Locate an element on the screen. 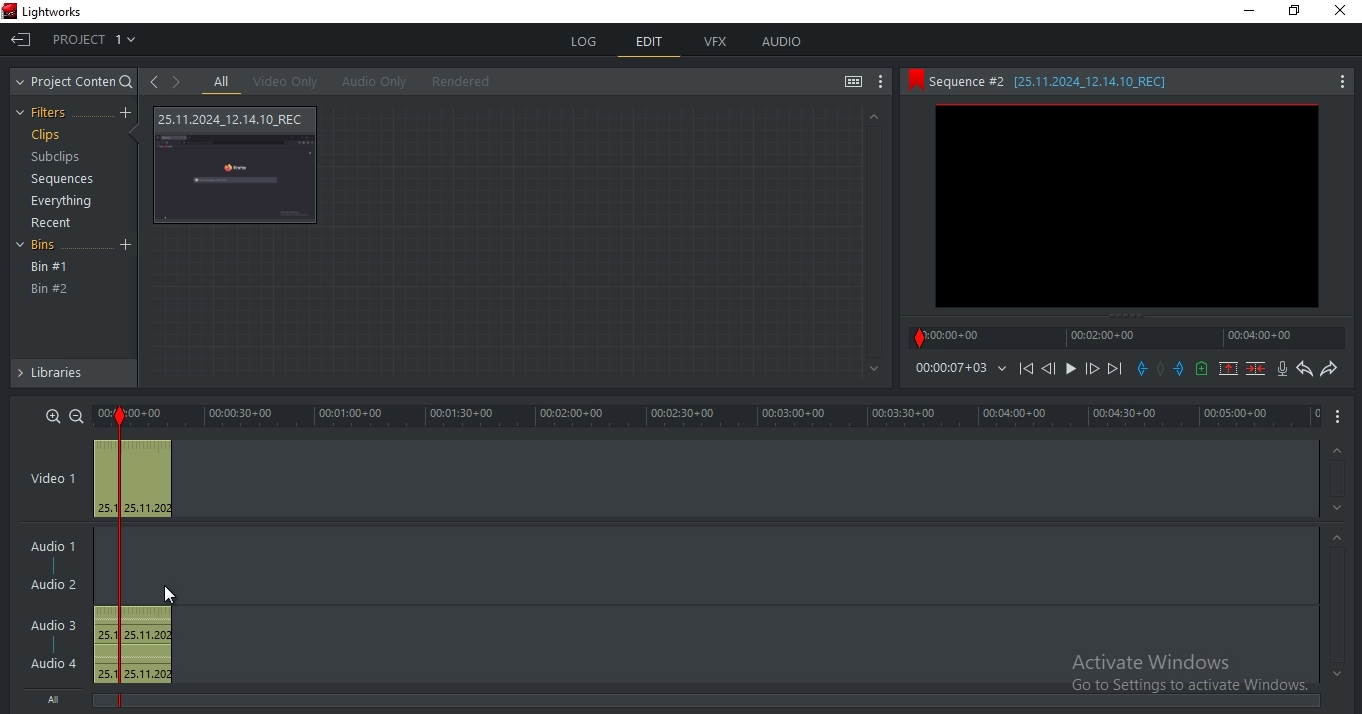 The width and height of the screenshot is (1362, 714). video is located at coordinates (134, 480).